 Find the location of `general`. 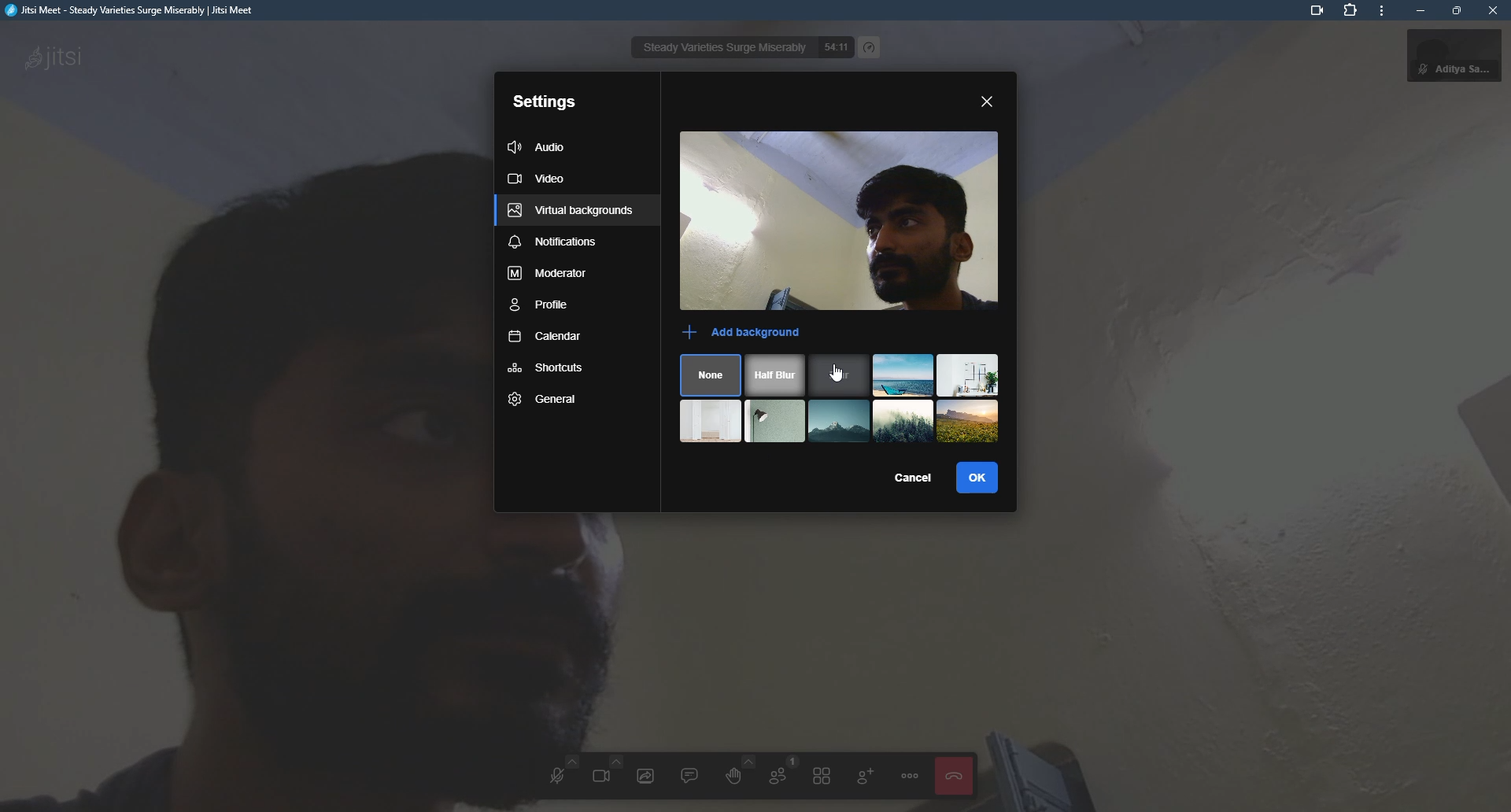

general is located at coordinates (545, 400).